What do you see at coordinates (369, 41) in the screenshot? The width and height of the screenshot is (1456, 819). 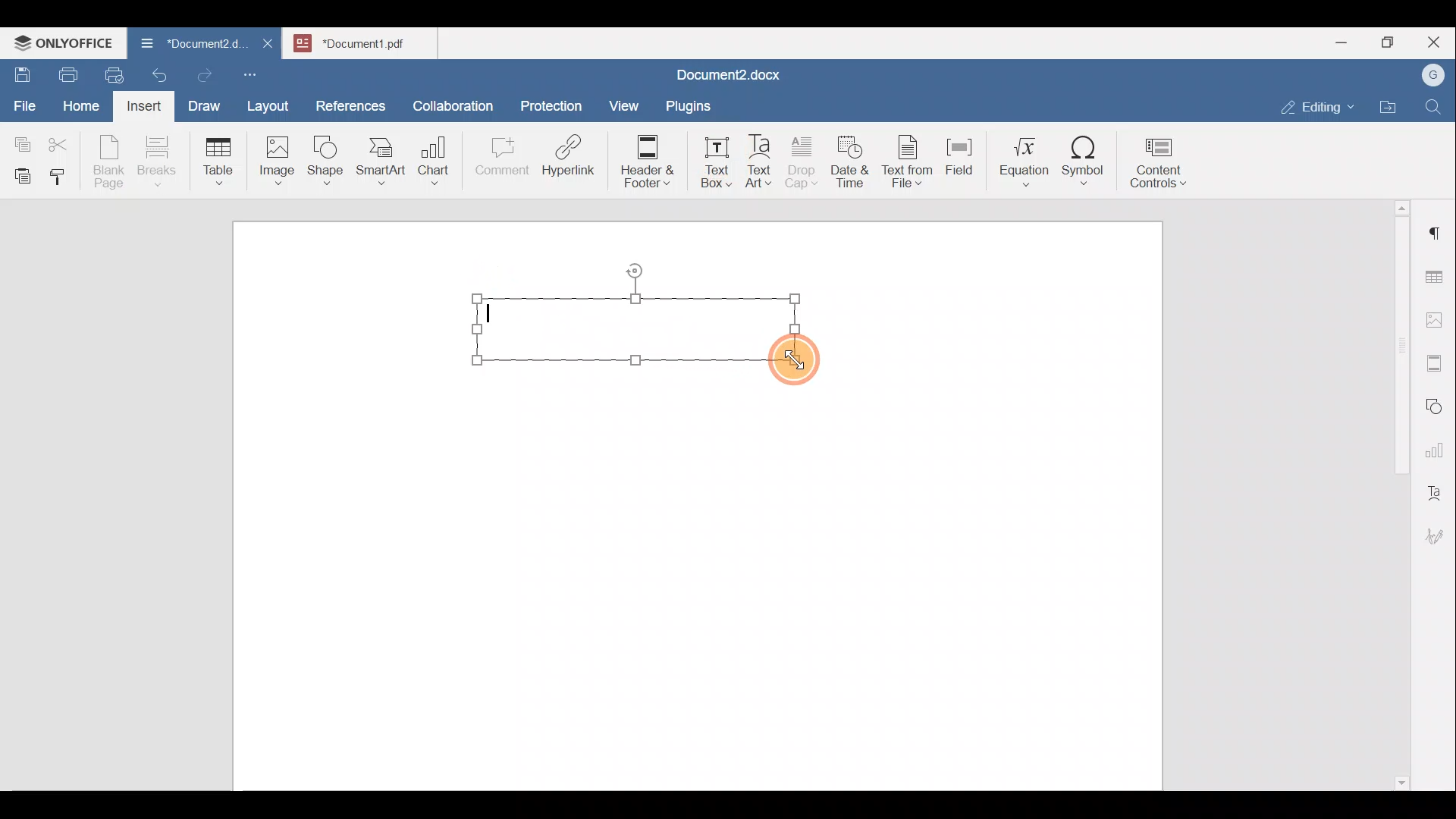 I see `Document name` at bounding box center [369, 41].